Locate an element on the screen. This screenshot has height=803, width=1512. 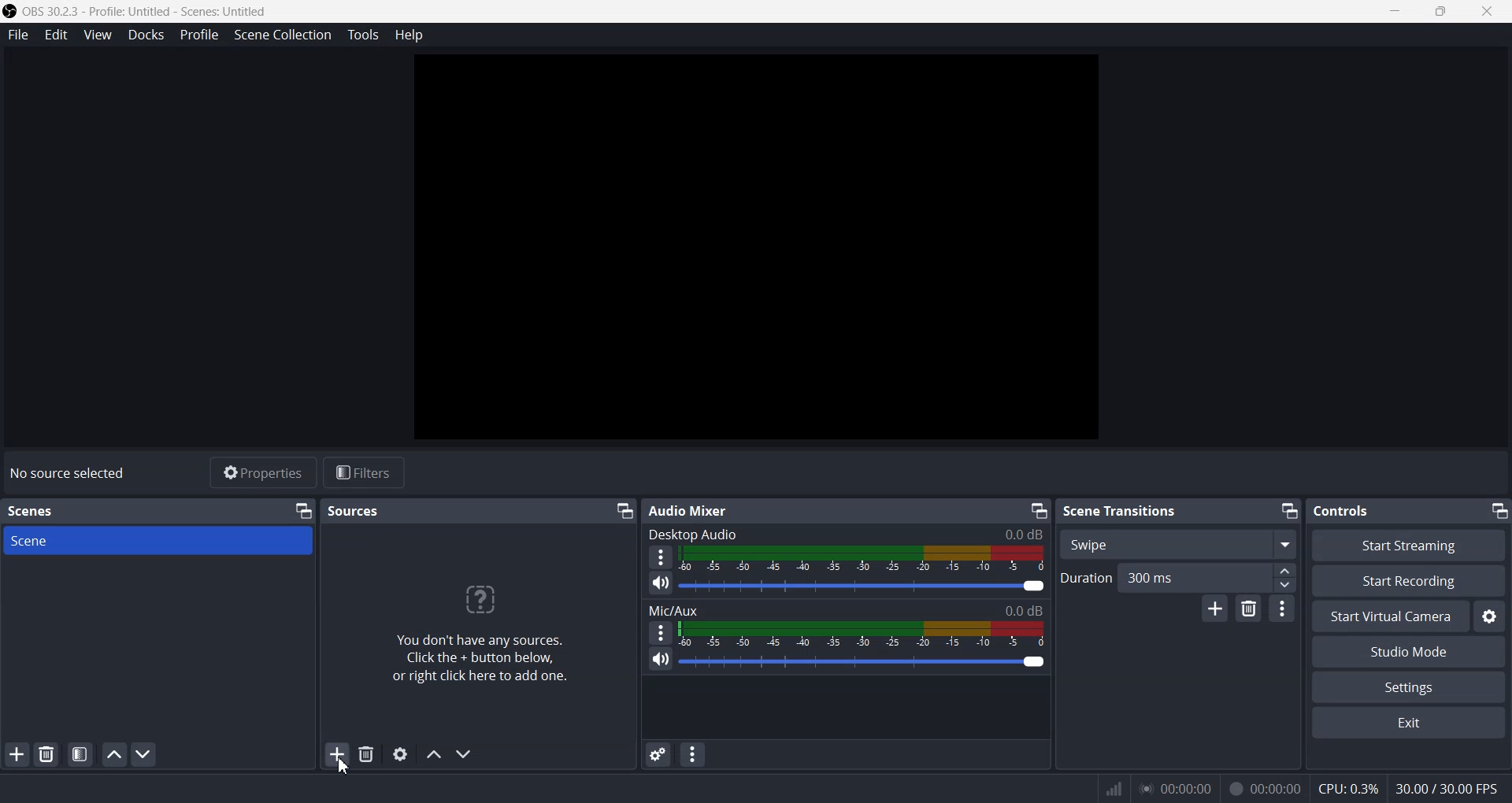
Docks is located at coordinates (146, 35).